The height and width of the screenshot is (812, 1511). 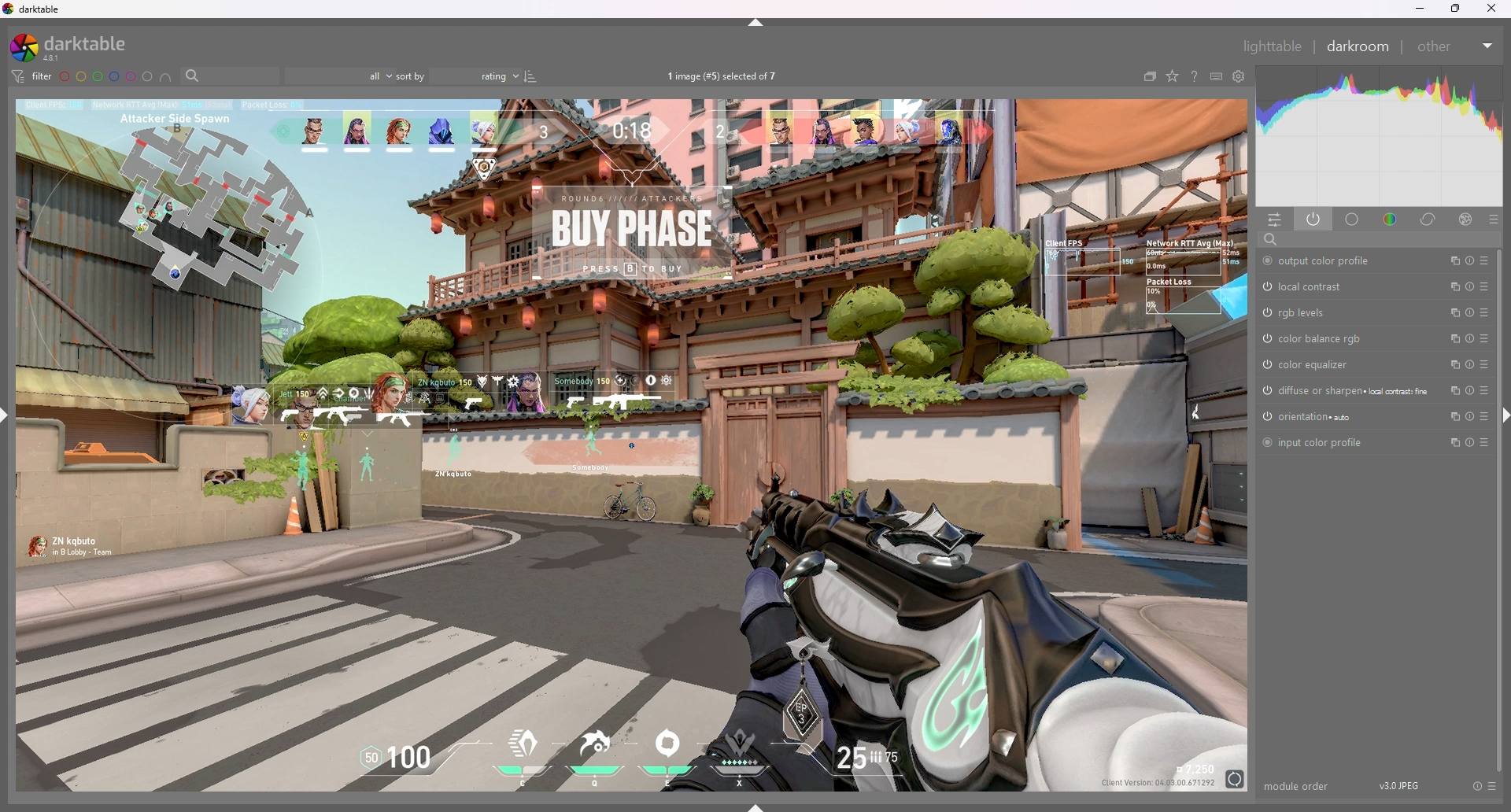 What do you see at coordinates (1469, 416) in the screenshot?
I see `reset` at bounding box center [1469, 416].